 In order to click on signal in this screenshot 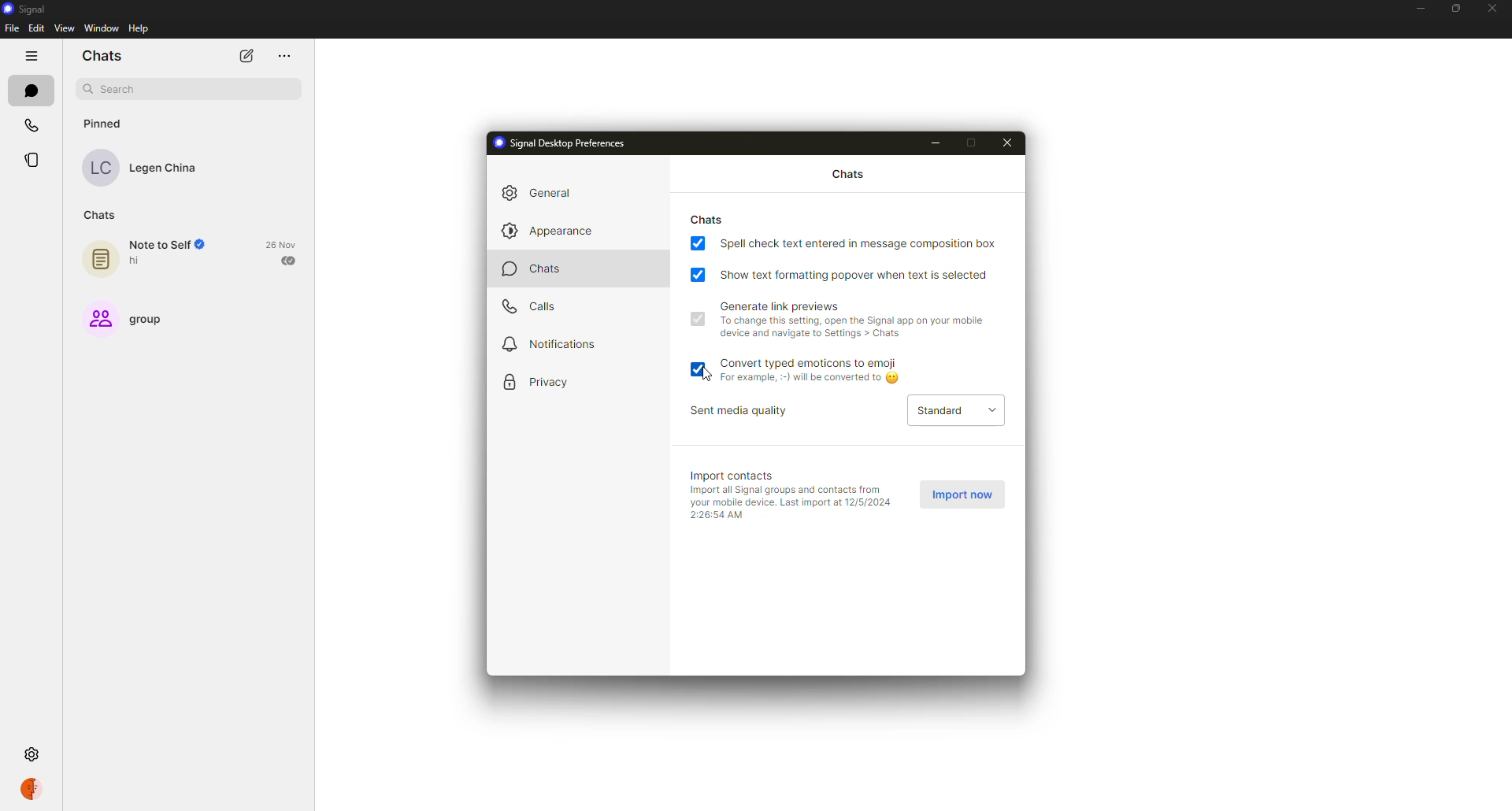, I will do `click(28, 9)`.